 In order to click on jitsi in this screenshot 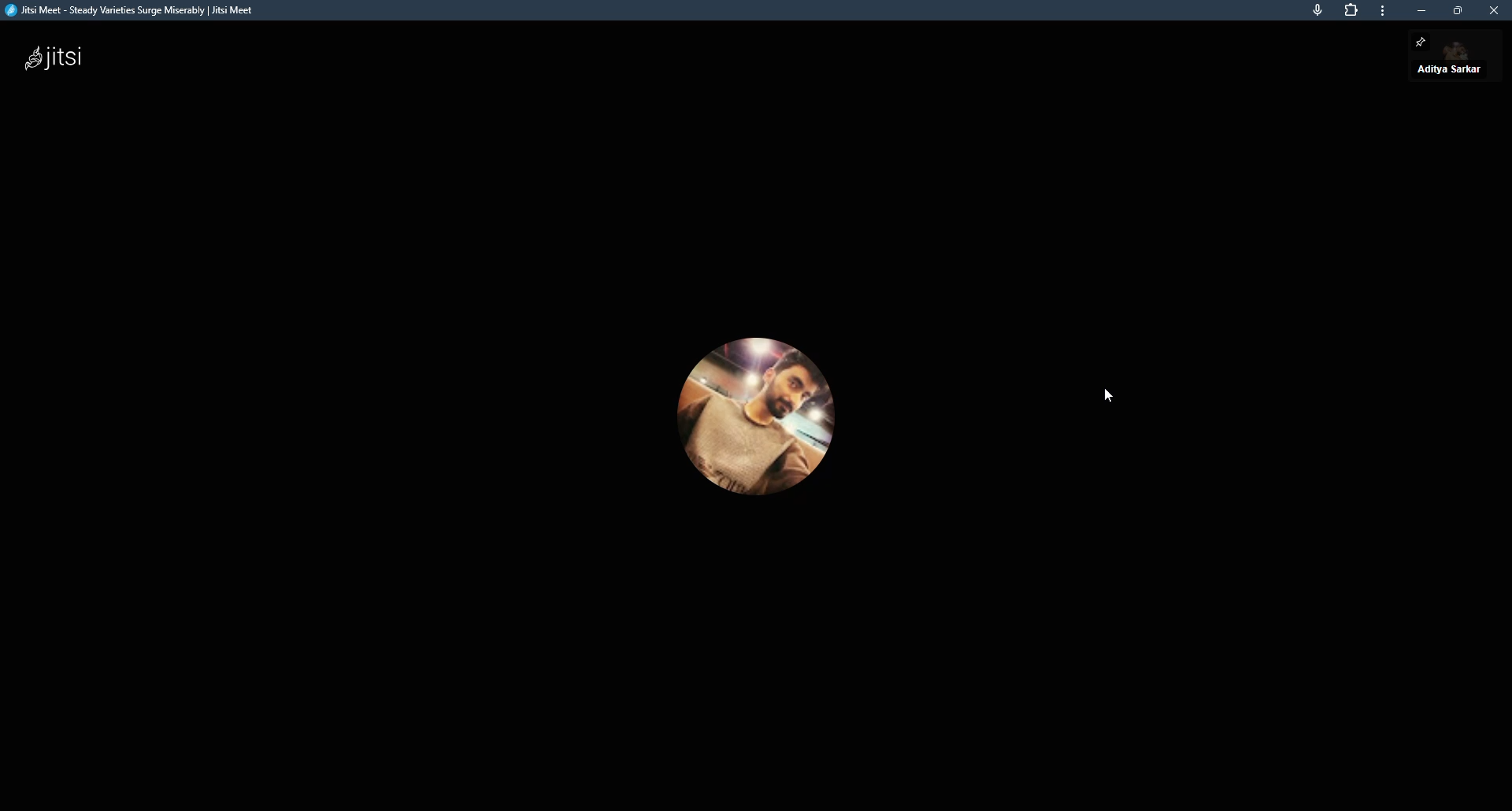, I will do `click(54, 57)`.